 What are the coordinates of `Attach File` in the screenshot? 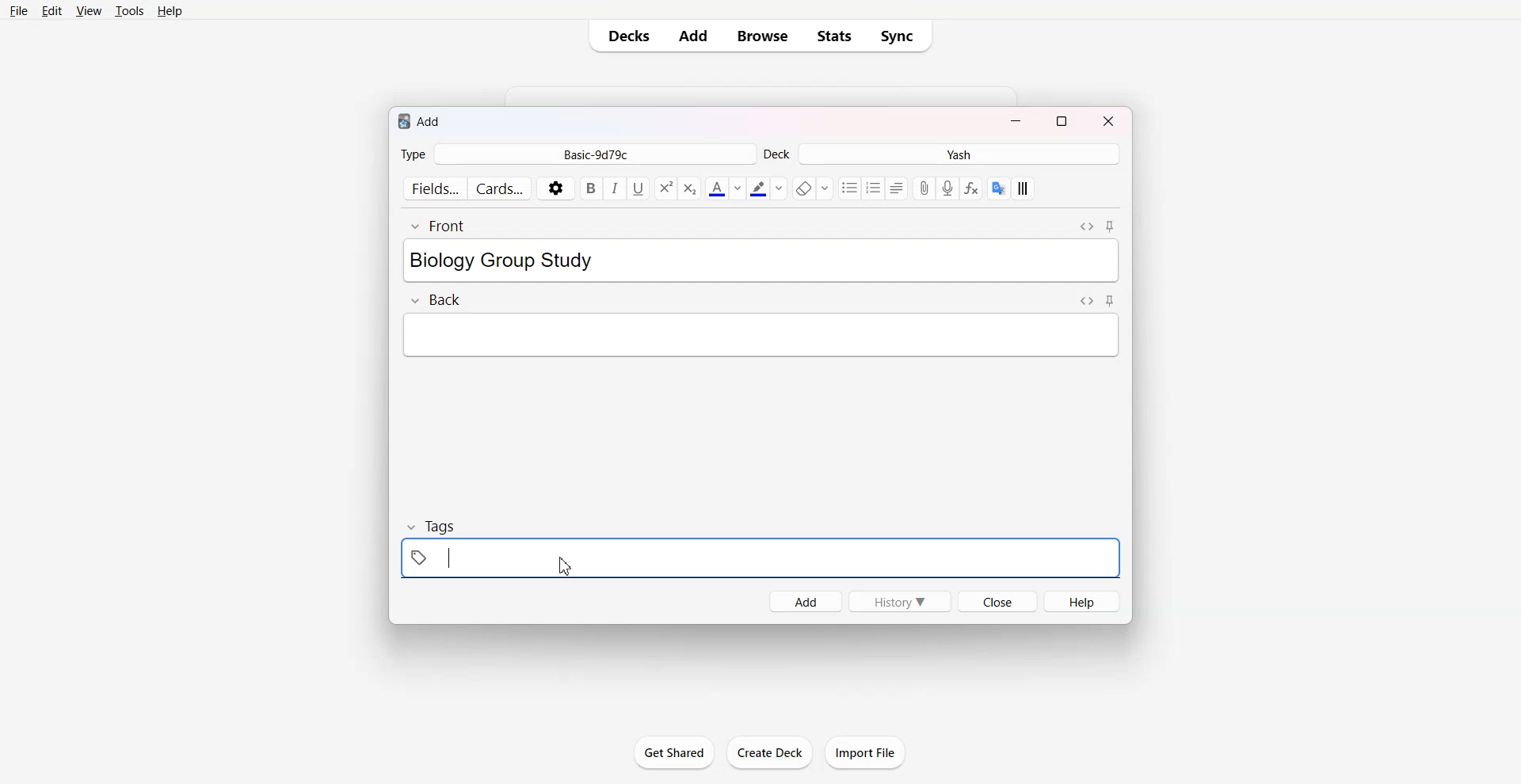 It's located at (925, 188).